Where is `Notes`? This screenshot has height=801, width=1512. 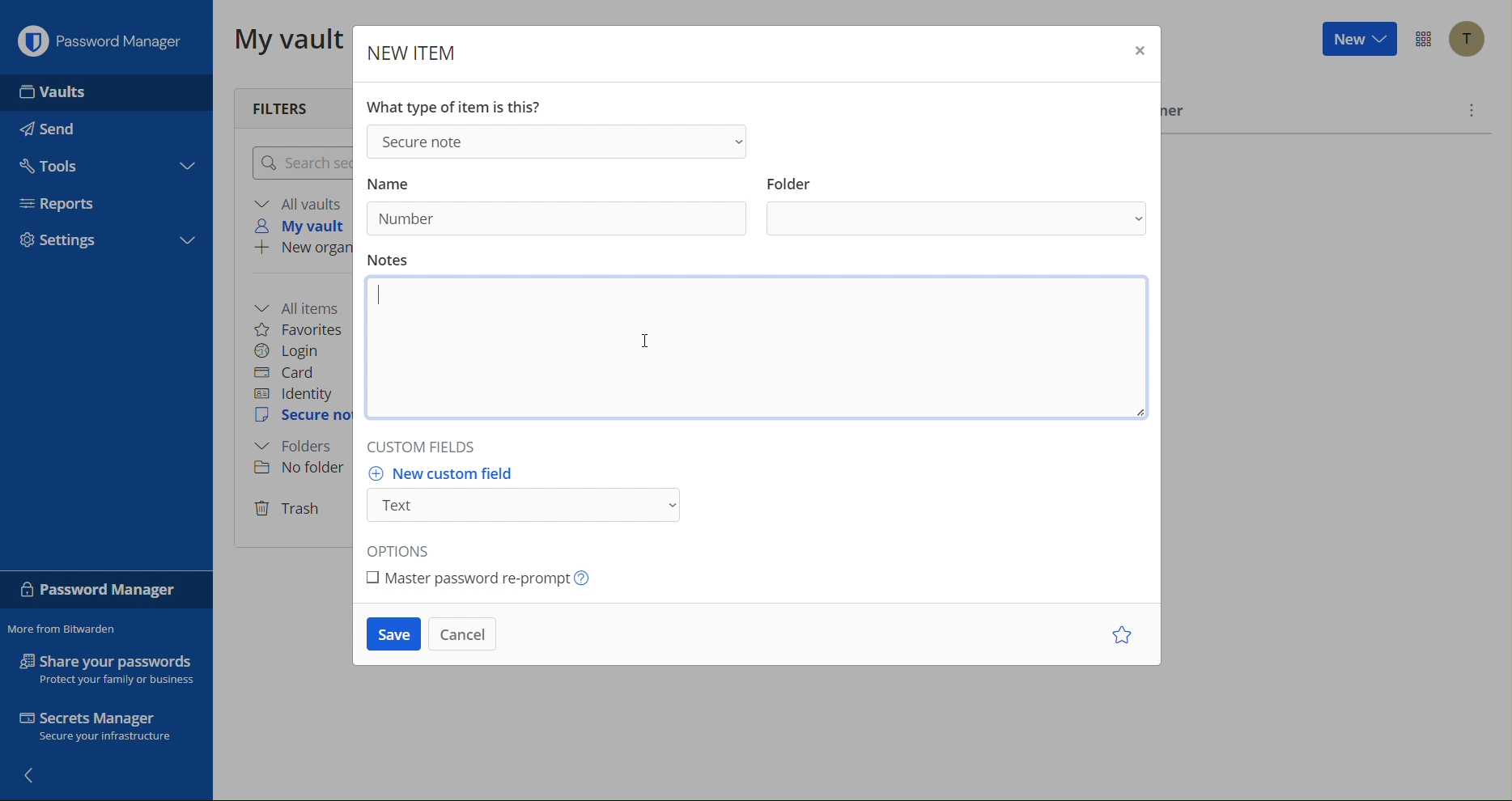
Notes is located at coordinates (754, 344).